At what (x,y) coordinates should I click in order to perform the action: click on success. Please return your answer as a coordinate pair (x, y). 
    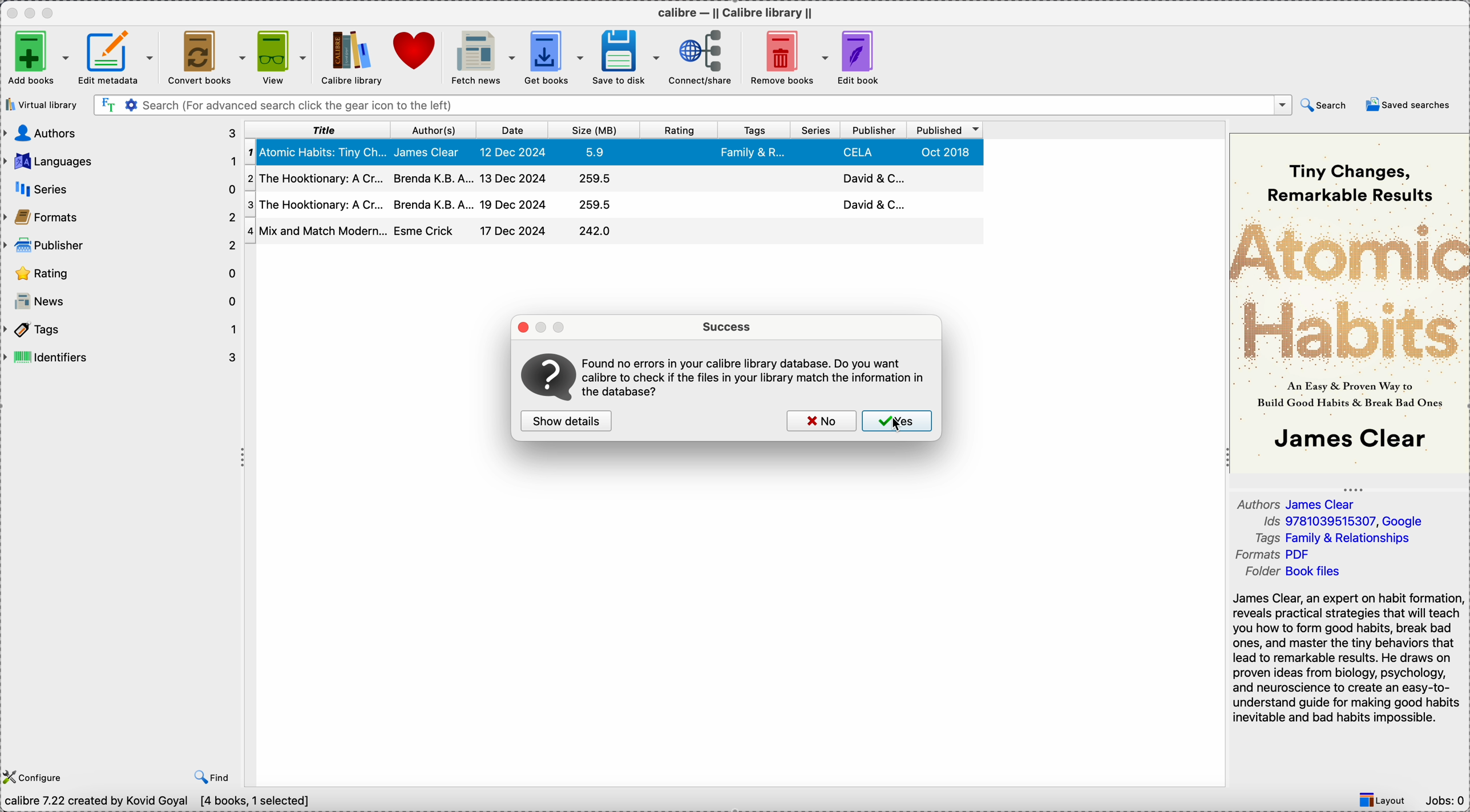
    Looking at the image, I should click on (728, 326).